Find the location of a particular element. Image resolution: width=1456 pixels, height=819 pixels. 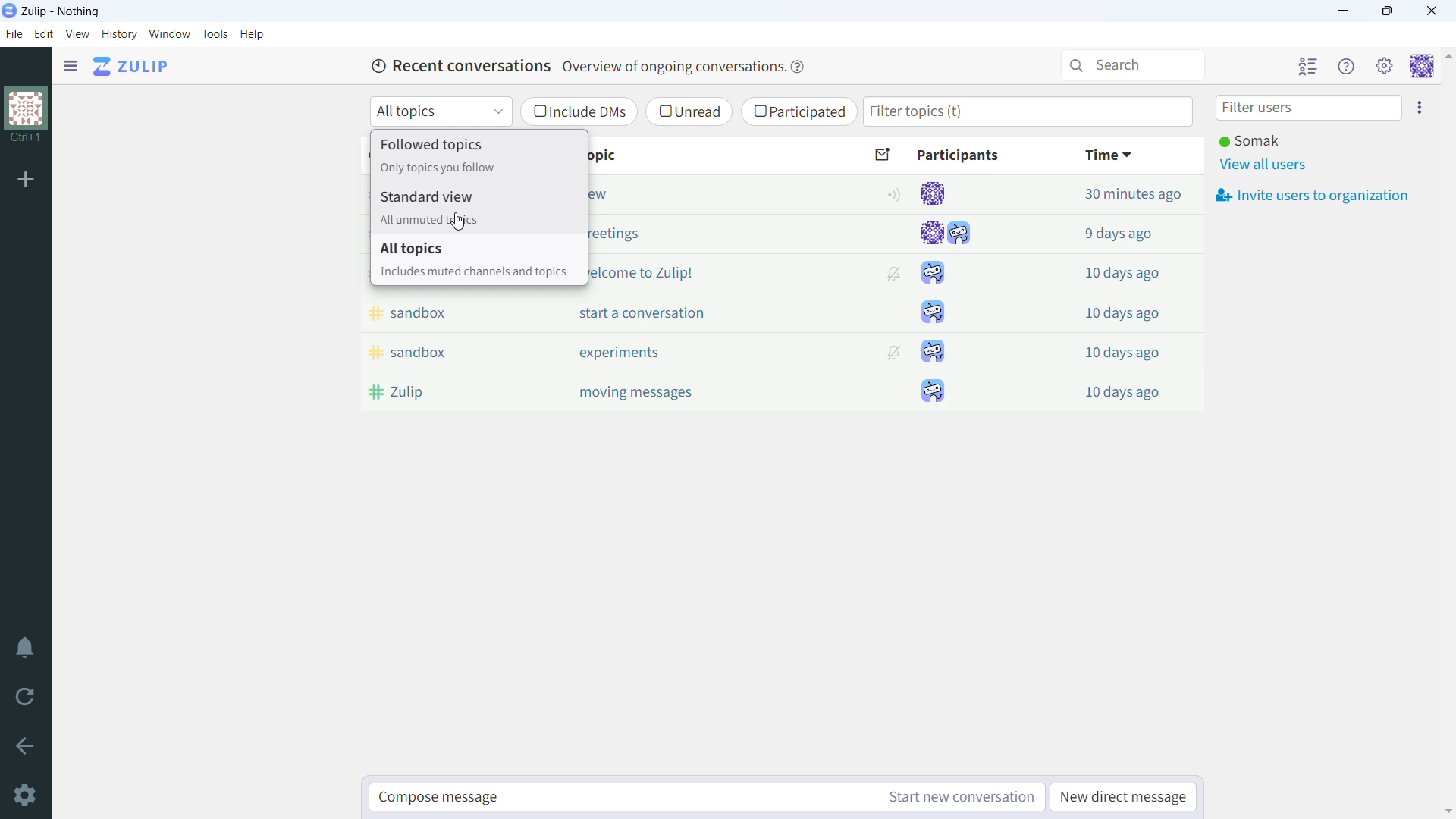

close is located at coordinates (1430, 11).